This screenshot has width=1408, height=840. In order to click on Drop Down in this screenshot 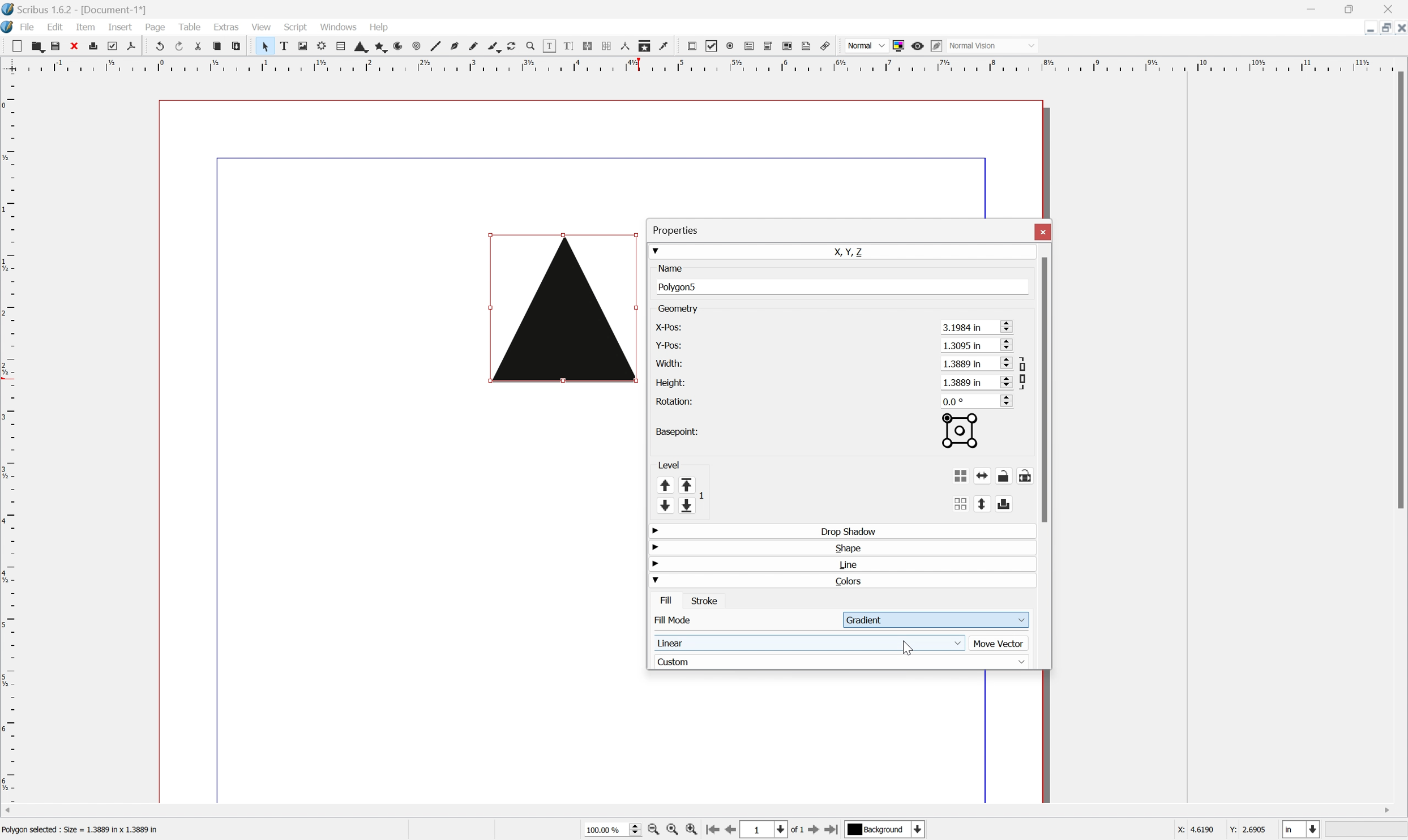, I will do `click(1018, 662)`.